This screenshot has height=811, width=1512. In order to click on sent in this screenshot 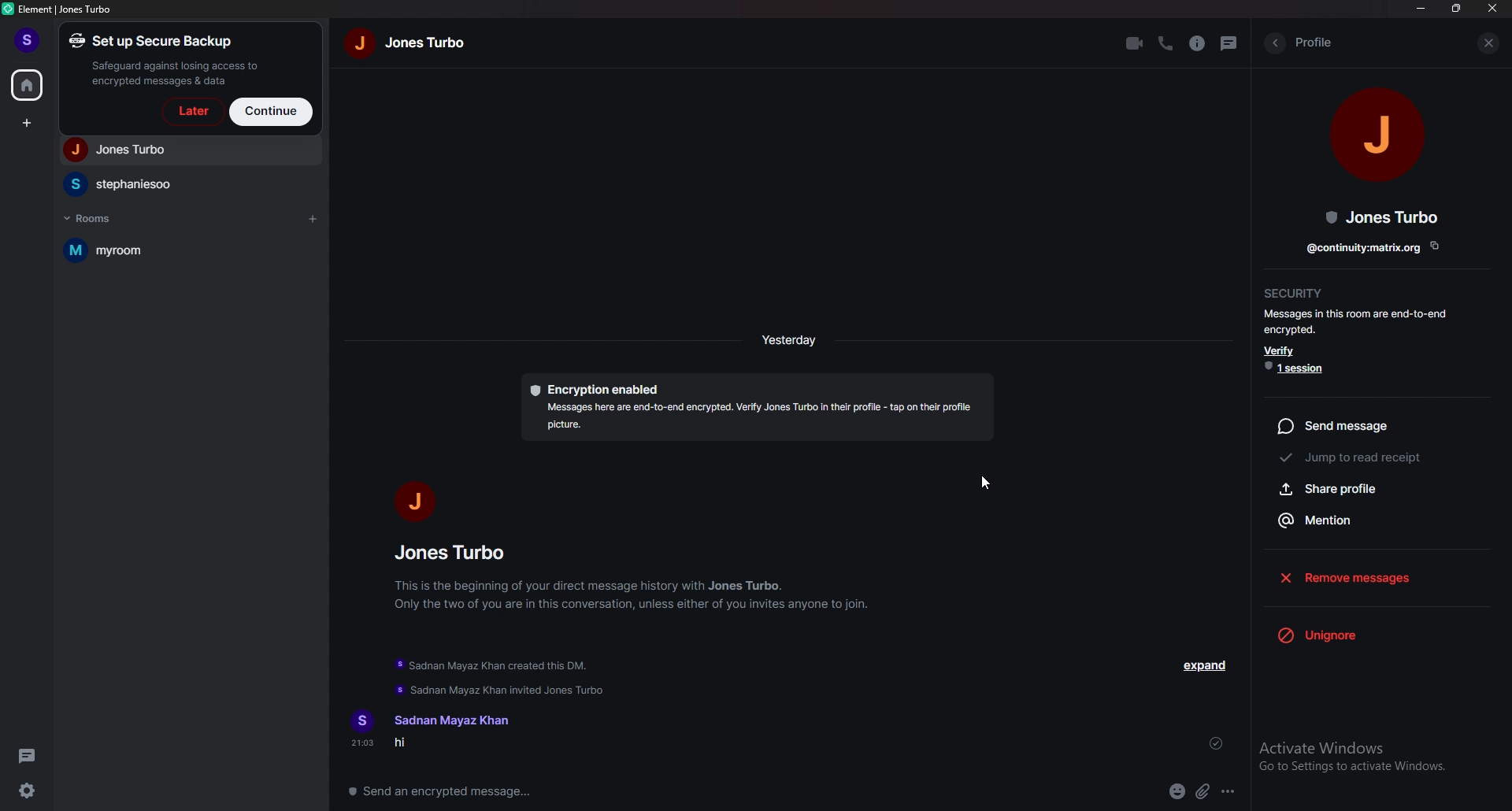, I will do `click(1216, 743)`.